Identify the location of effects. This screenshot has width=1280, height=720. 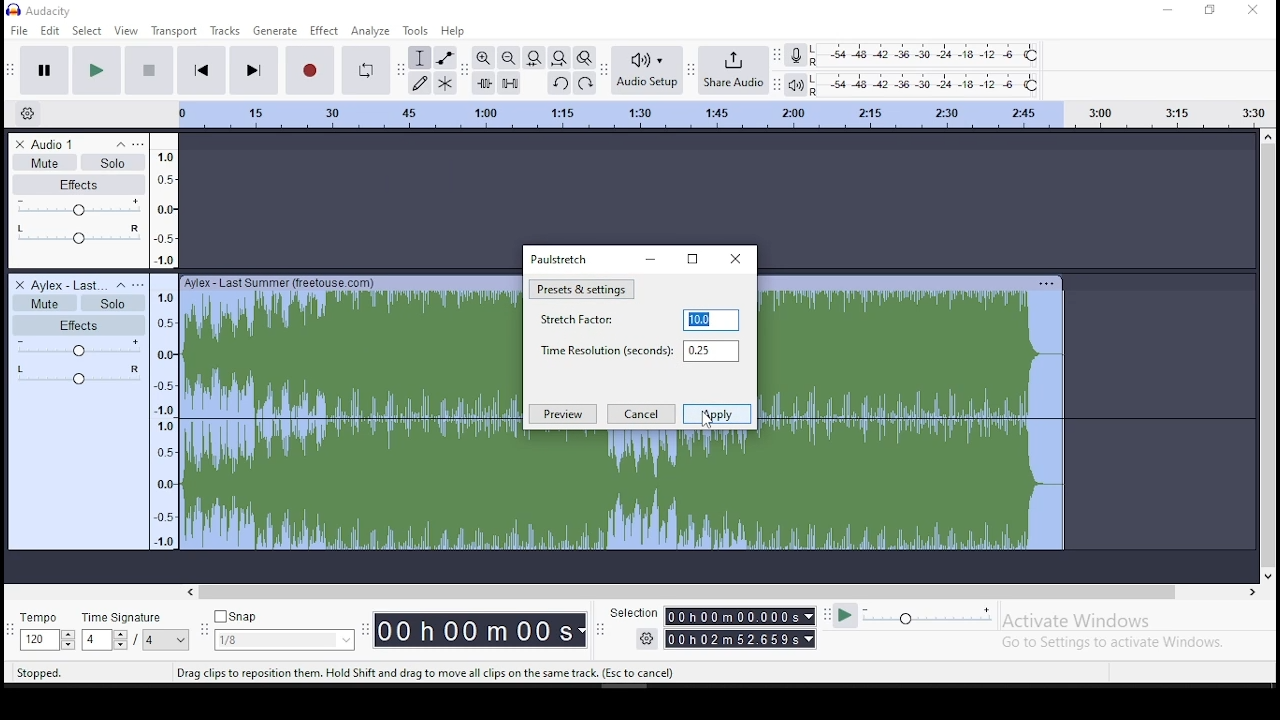
(83, 185).